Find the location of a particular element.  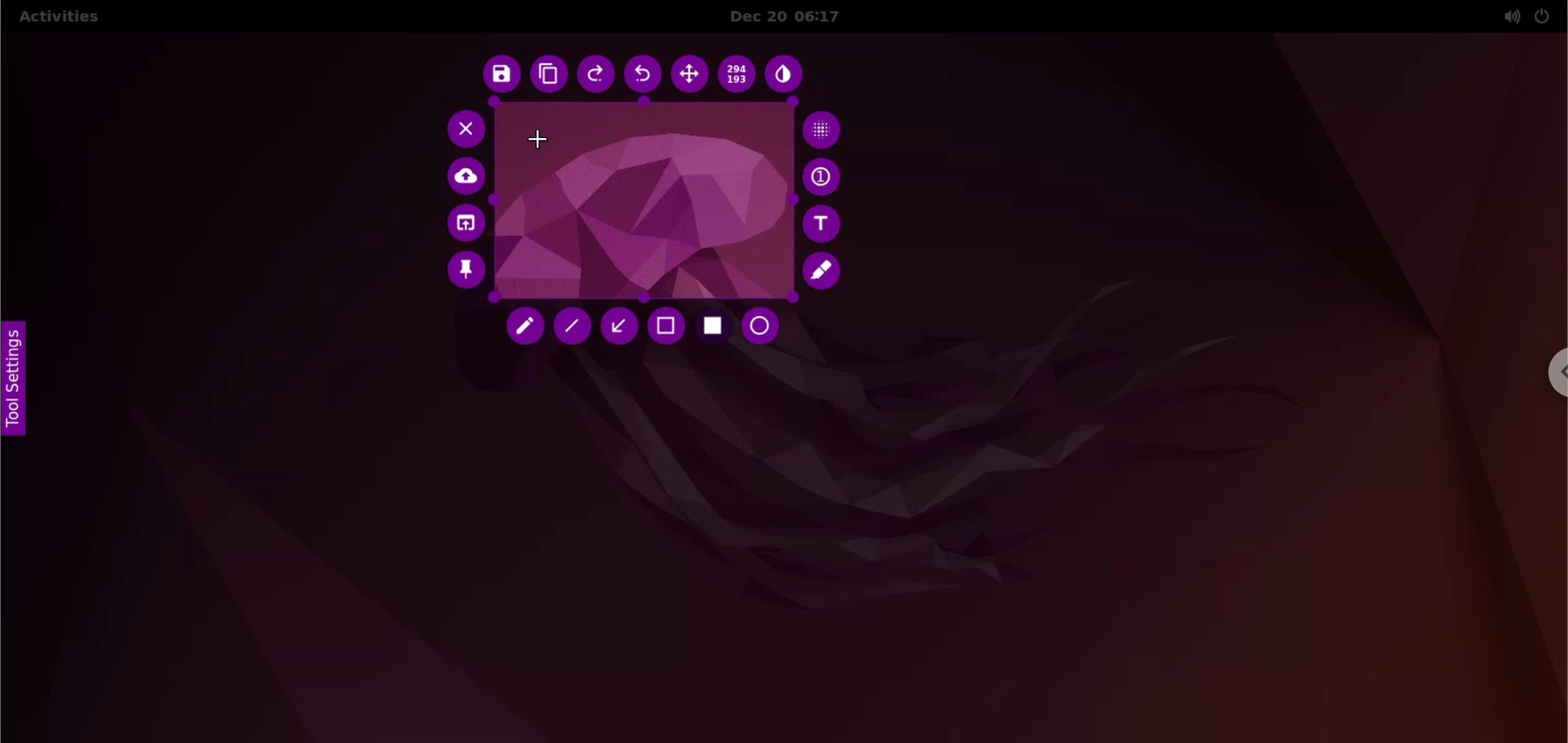

pin is located at coordinates (465, 274).